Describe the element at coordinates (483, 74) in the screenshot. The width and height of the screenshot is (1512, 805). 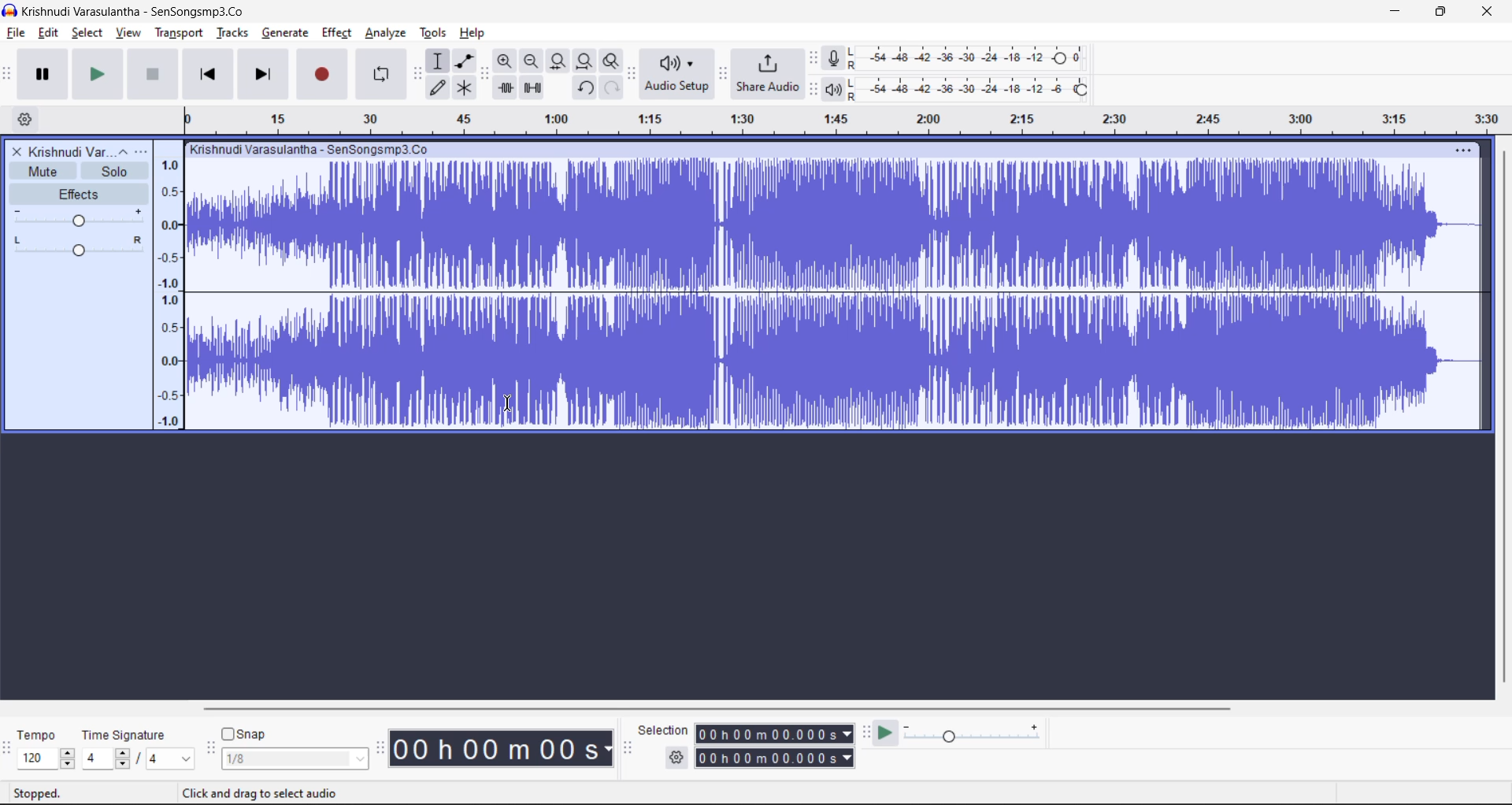
I see `edit tool bar` at that location.